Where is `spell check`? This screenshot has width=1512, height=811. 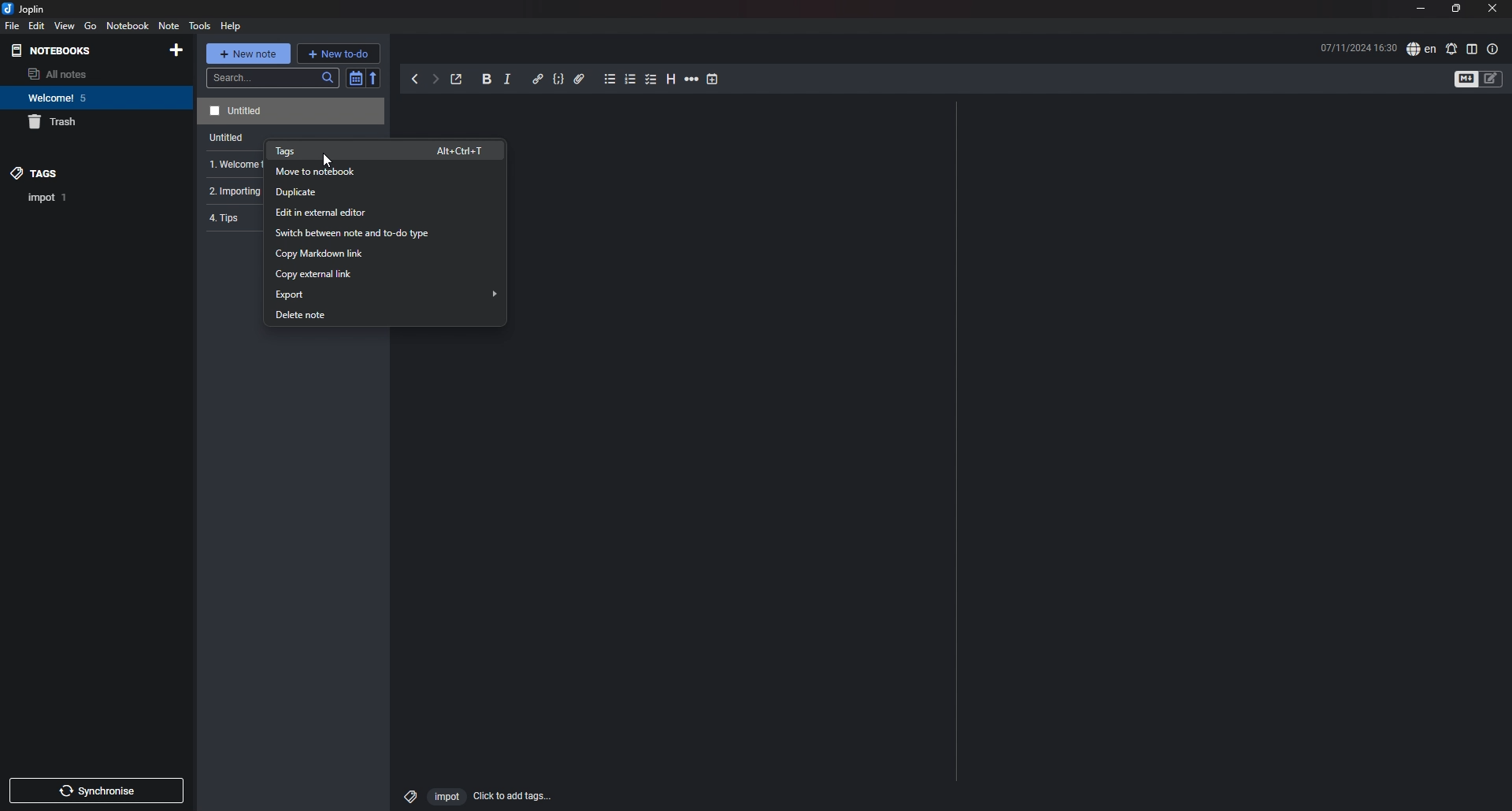
spell check is located at coordinates (1421, 50).